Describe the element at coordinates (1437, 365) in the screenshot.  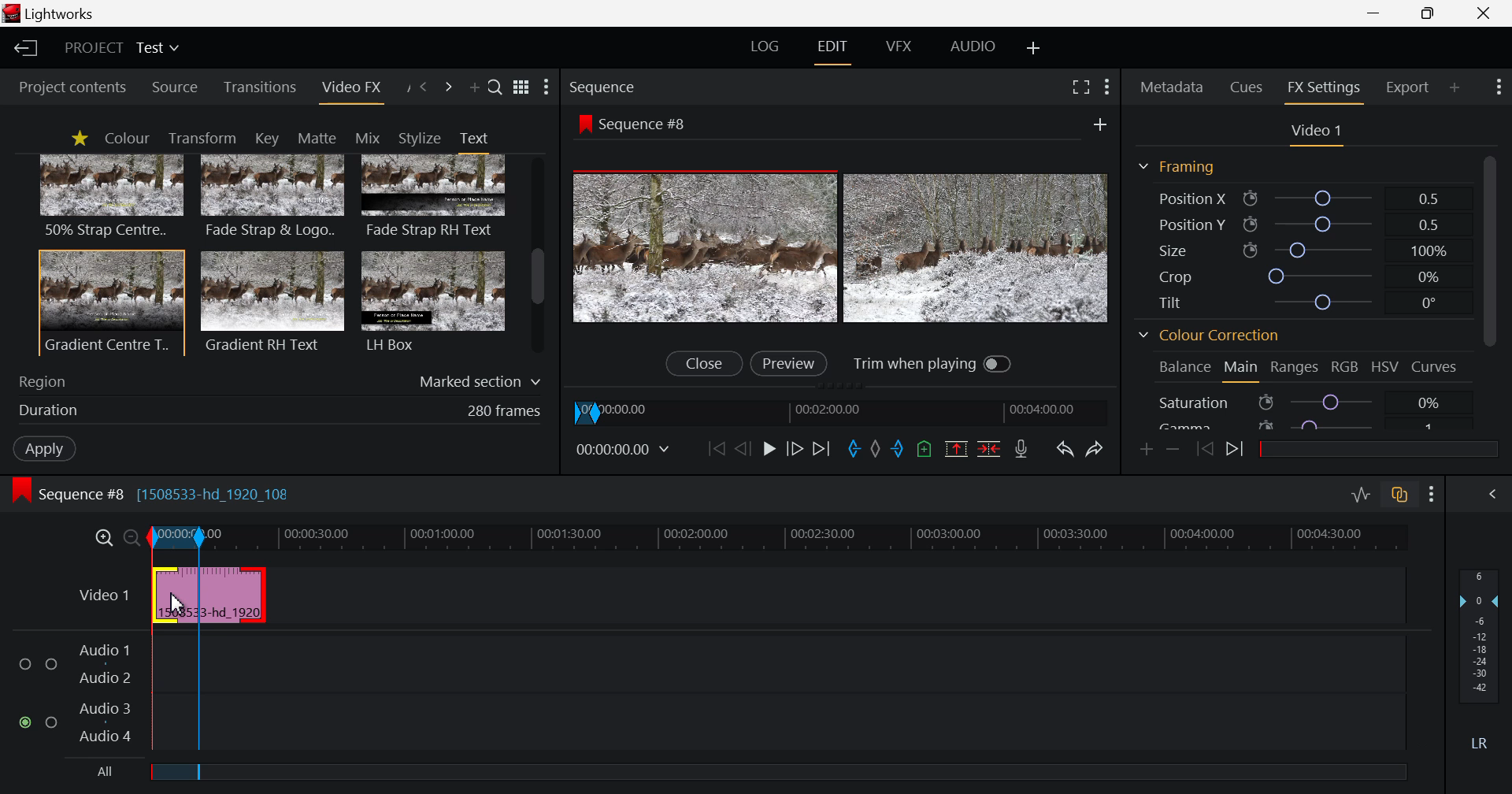
I see `Curves` at that location.